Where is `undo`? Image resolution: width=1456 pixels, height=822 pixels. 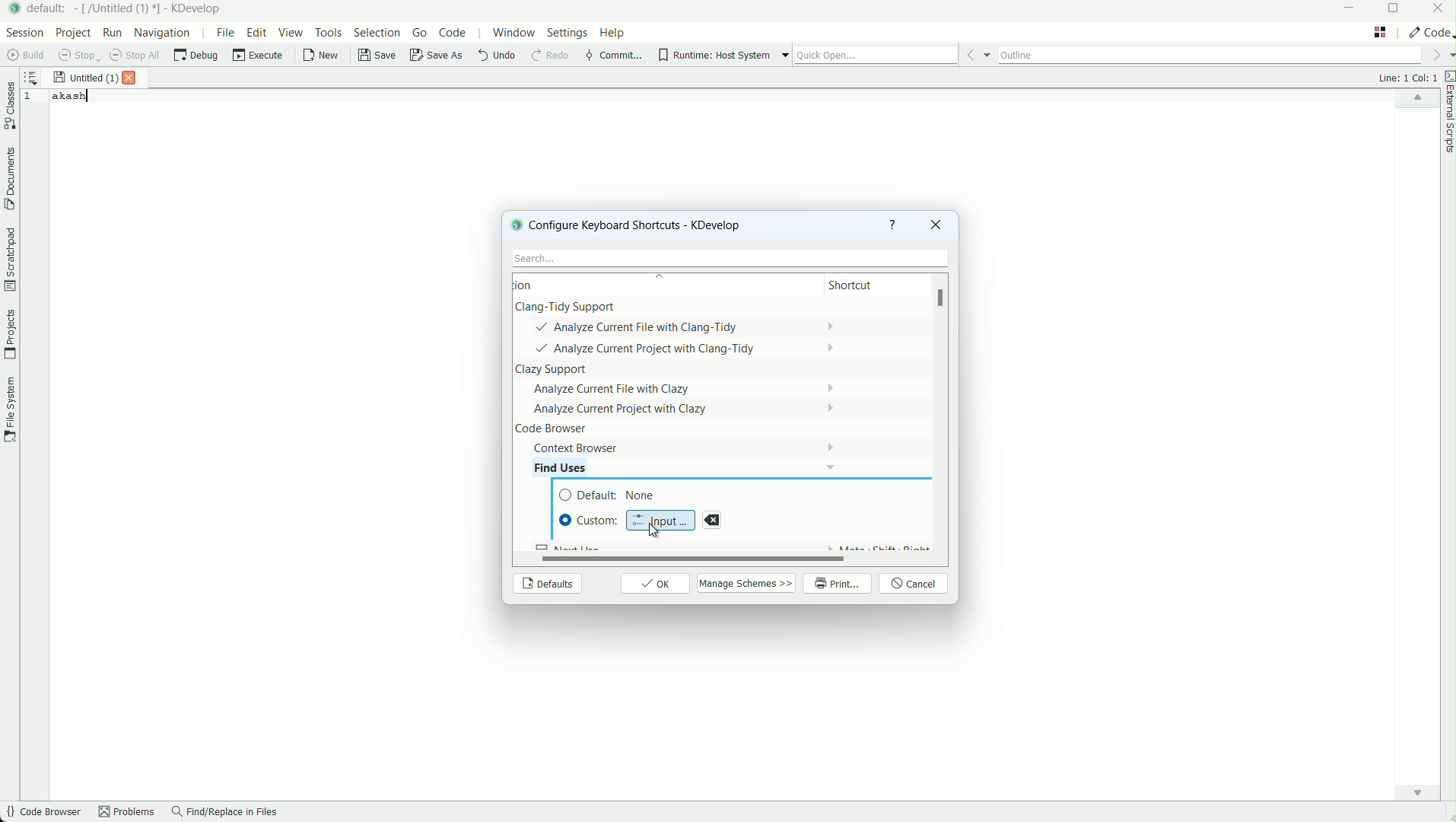
undo is located at coordinates (495, 56).